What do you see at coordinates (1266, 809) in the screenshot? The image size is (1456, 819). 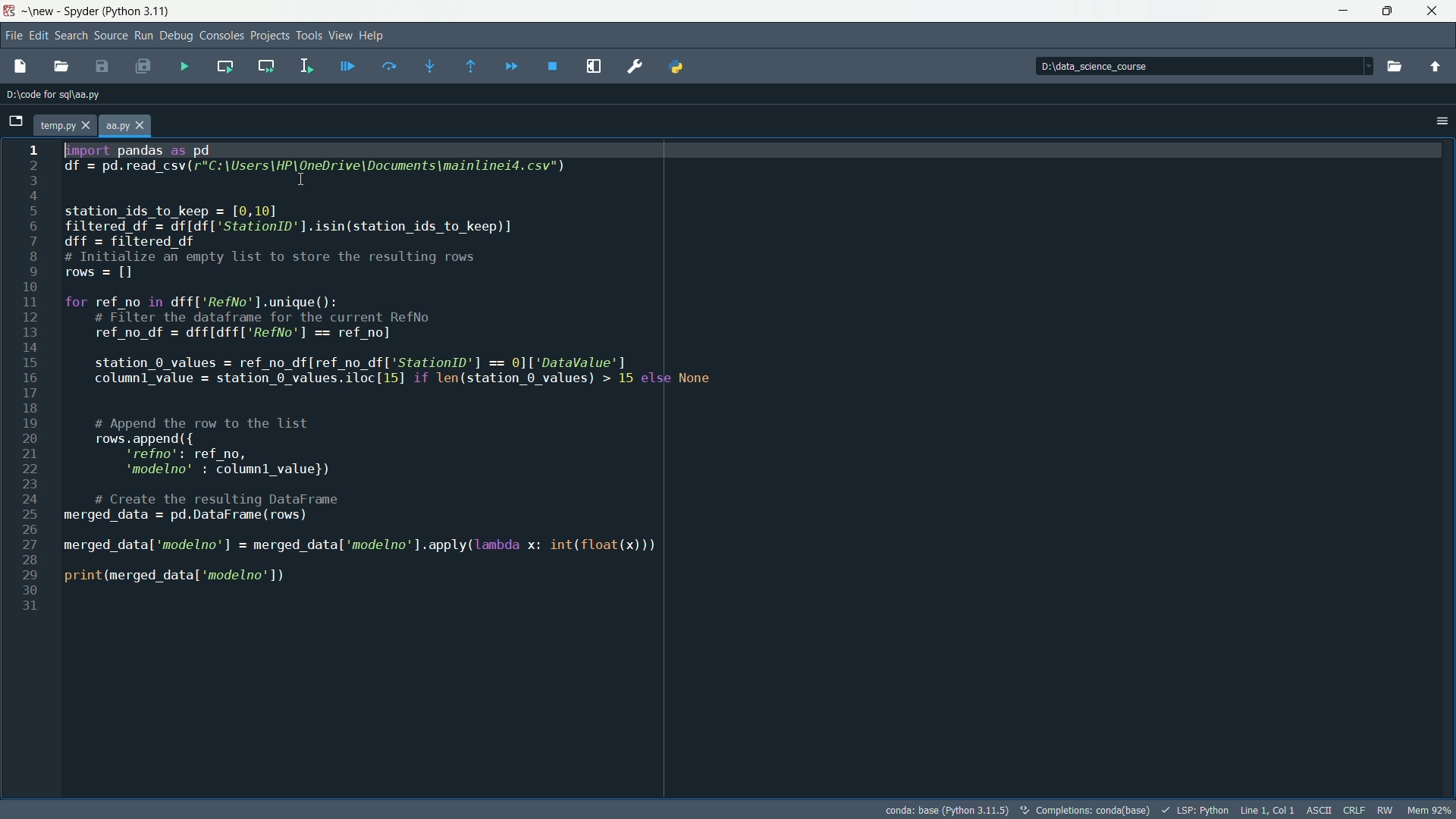 I see `cursor position` at bounding box center [1266, 809].